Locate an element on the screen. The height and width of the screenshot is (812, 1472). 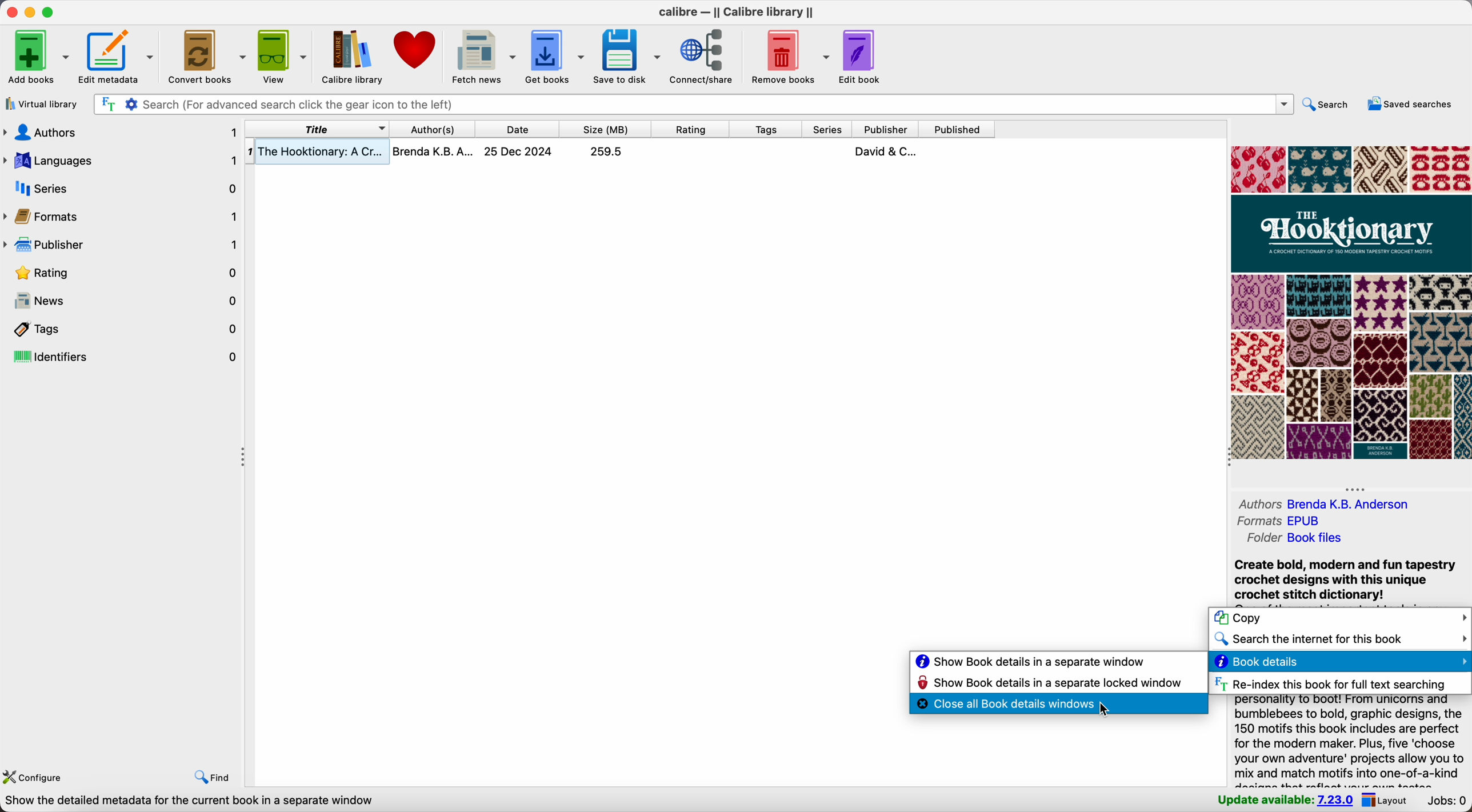
search the internet for this book is located at coordinates (1339, 641).